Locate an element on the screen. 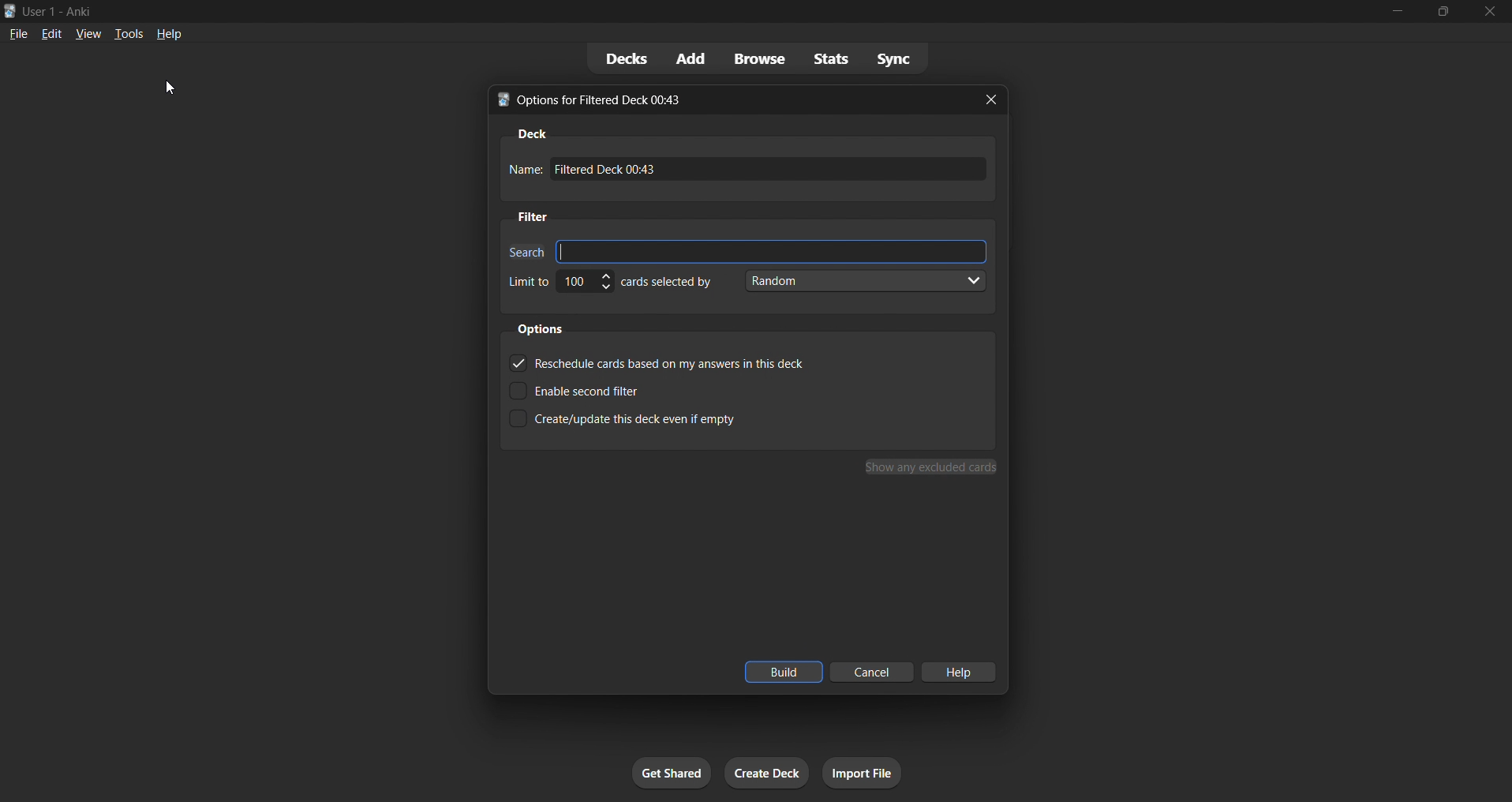 The width and height of the screenshot is (1512, 802). filter input field is located at coordinates (522, 249).